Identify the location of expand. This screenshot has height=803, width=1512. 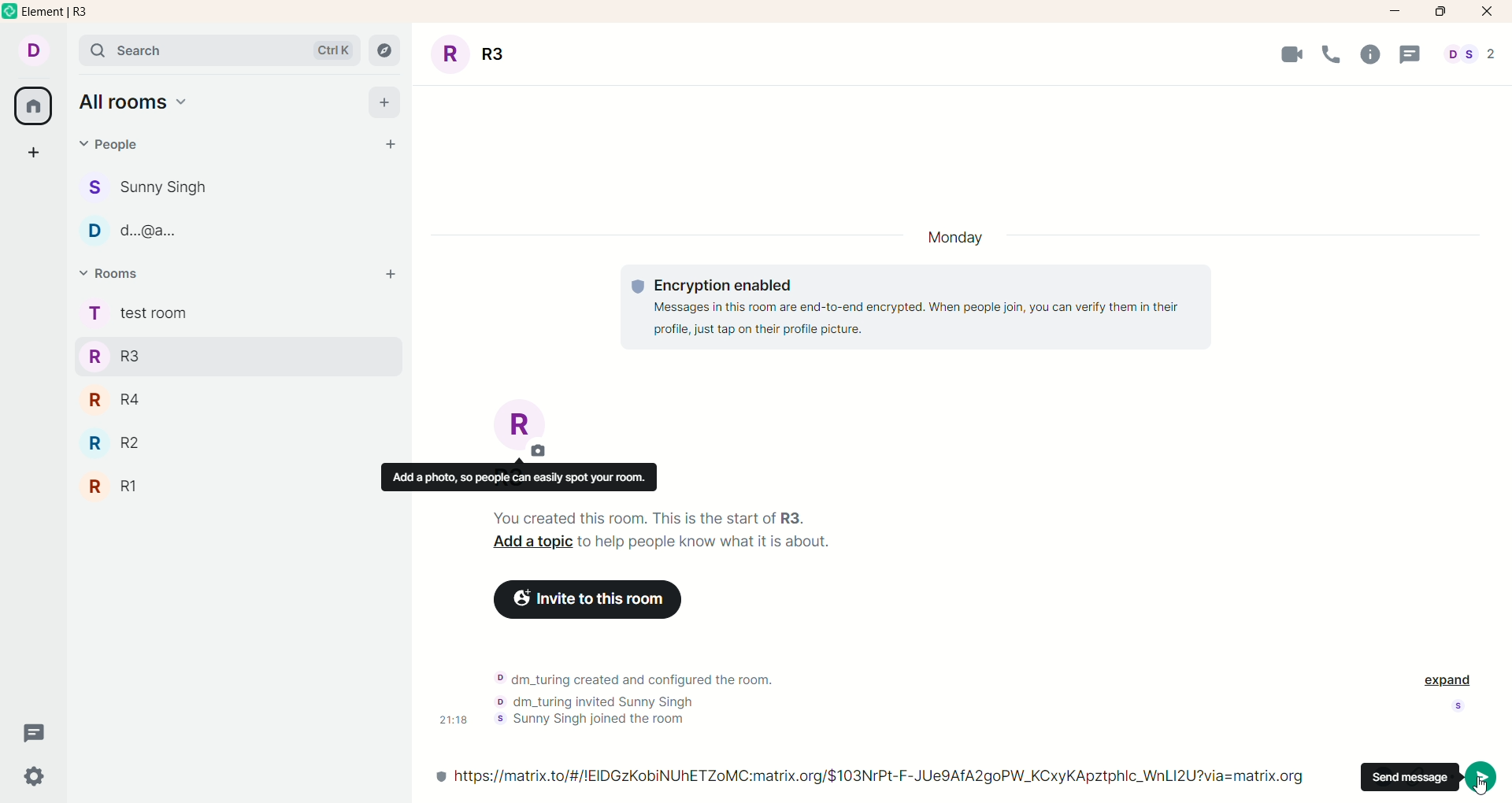
(1448, 682).